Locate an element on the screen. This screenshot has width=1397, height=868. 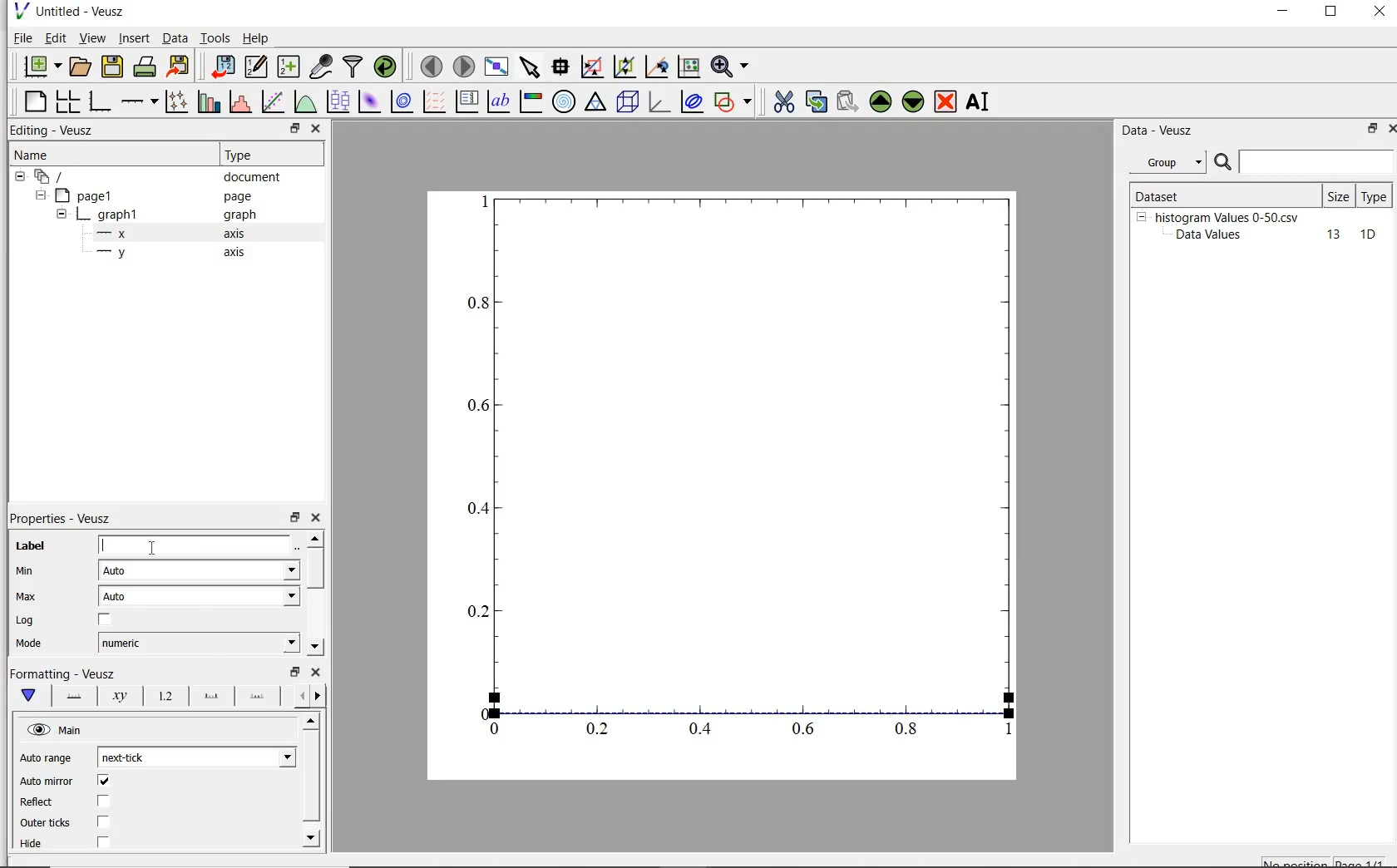
plot 2d dataset as contours is located at coordinates (402, 101).